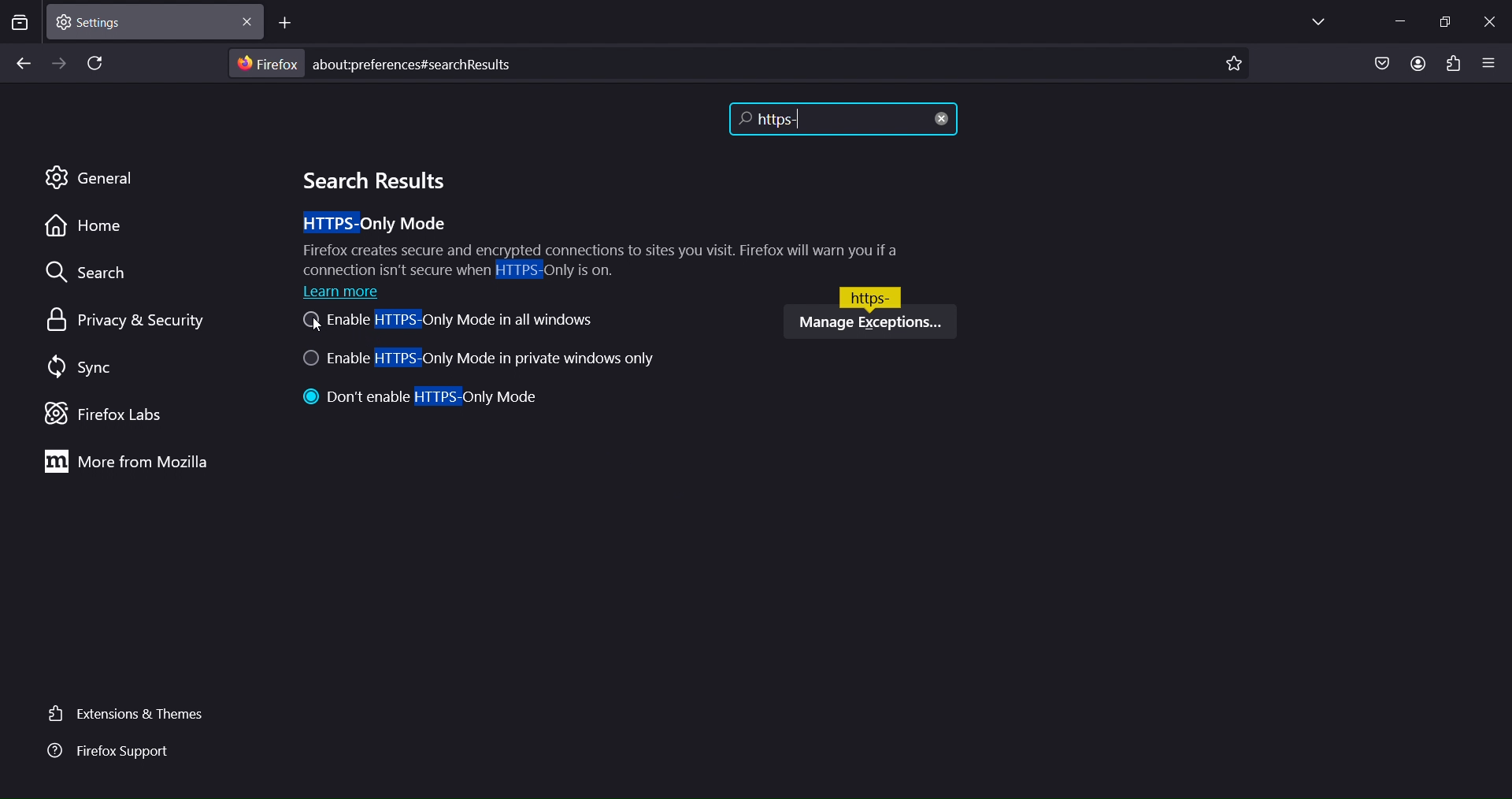 The height and width of the screenshot is (799, 1512). I want to click on sync, so click(78, 368).